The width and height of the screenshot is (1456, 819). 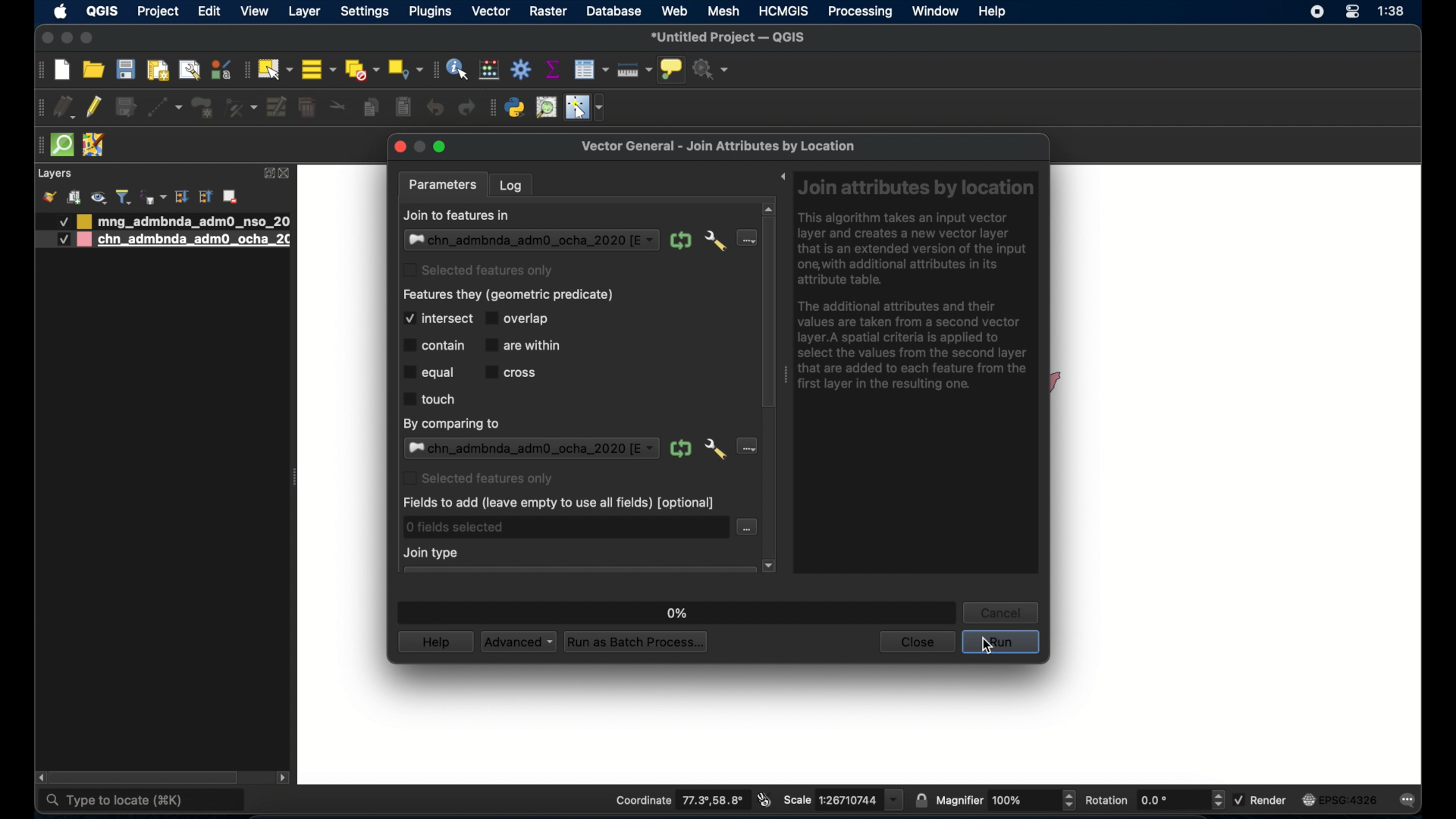 What do you see at coordinates (152, 196) in the screenshot?
I see `filter legen by expression` at bounding box center [152, 196].